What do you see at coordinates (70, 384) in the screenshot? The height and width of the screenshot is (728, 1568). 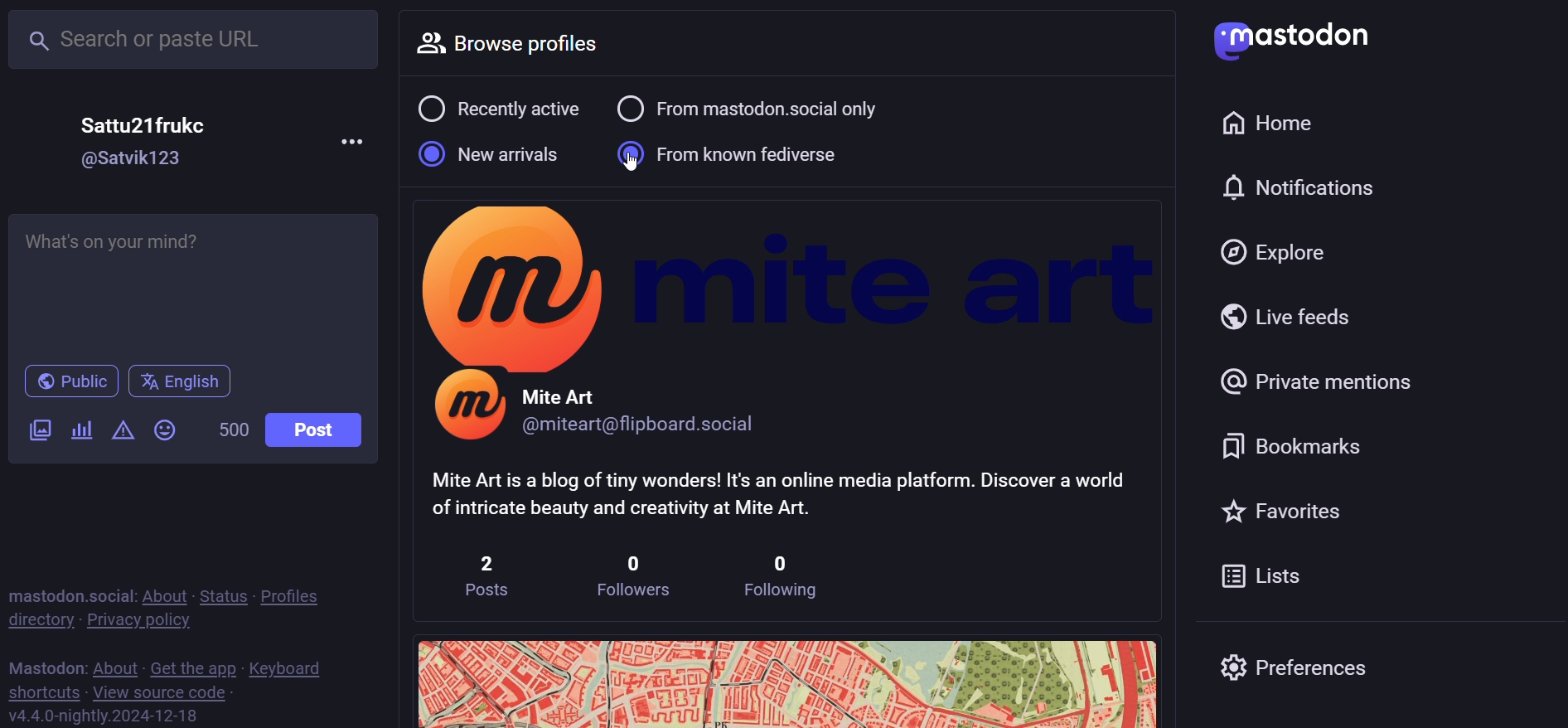 I see `public` at bounding box center [70, 384].